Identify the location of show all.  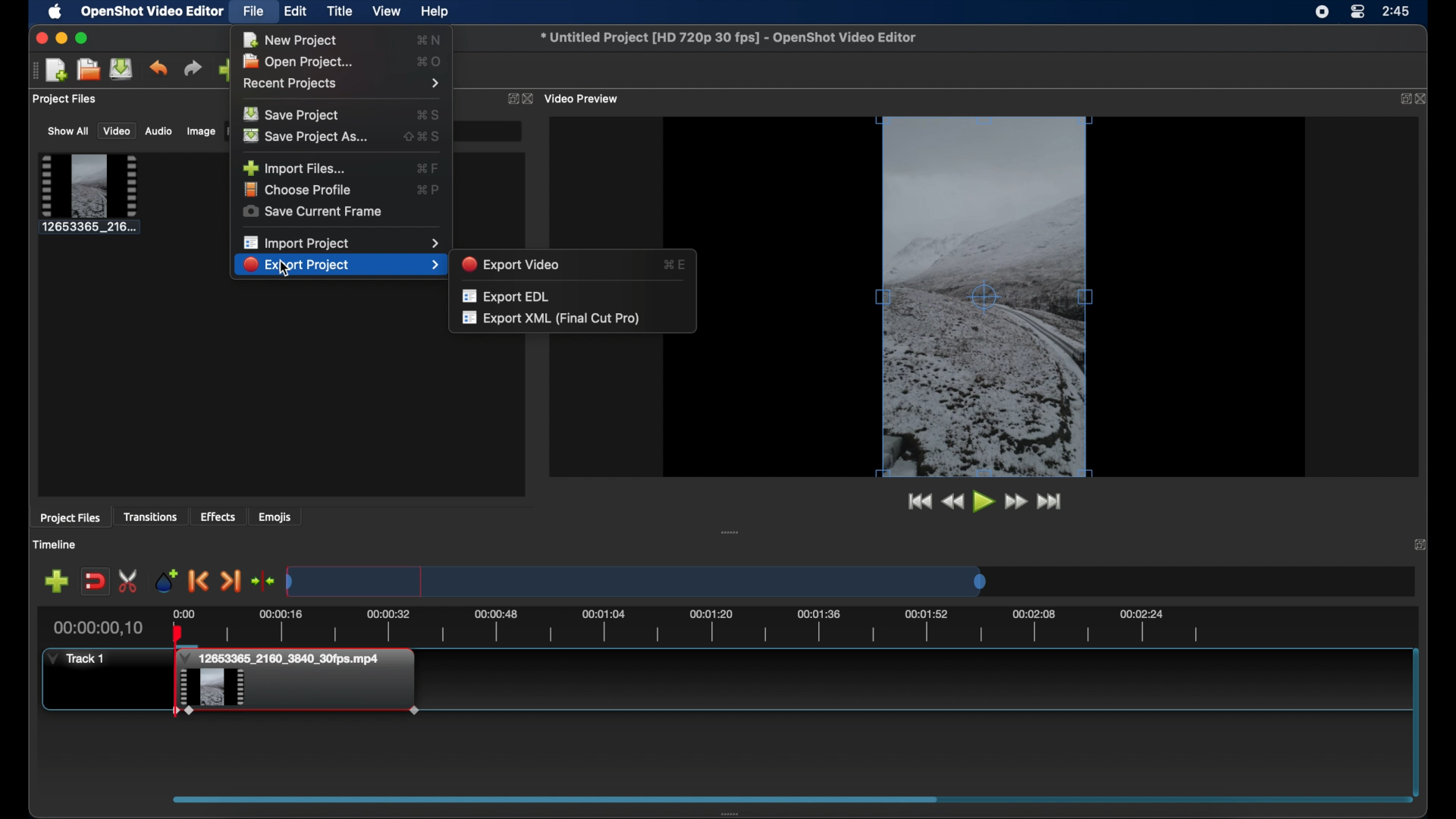
(67, 131).